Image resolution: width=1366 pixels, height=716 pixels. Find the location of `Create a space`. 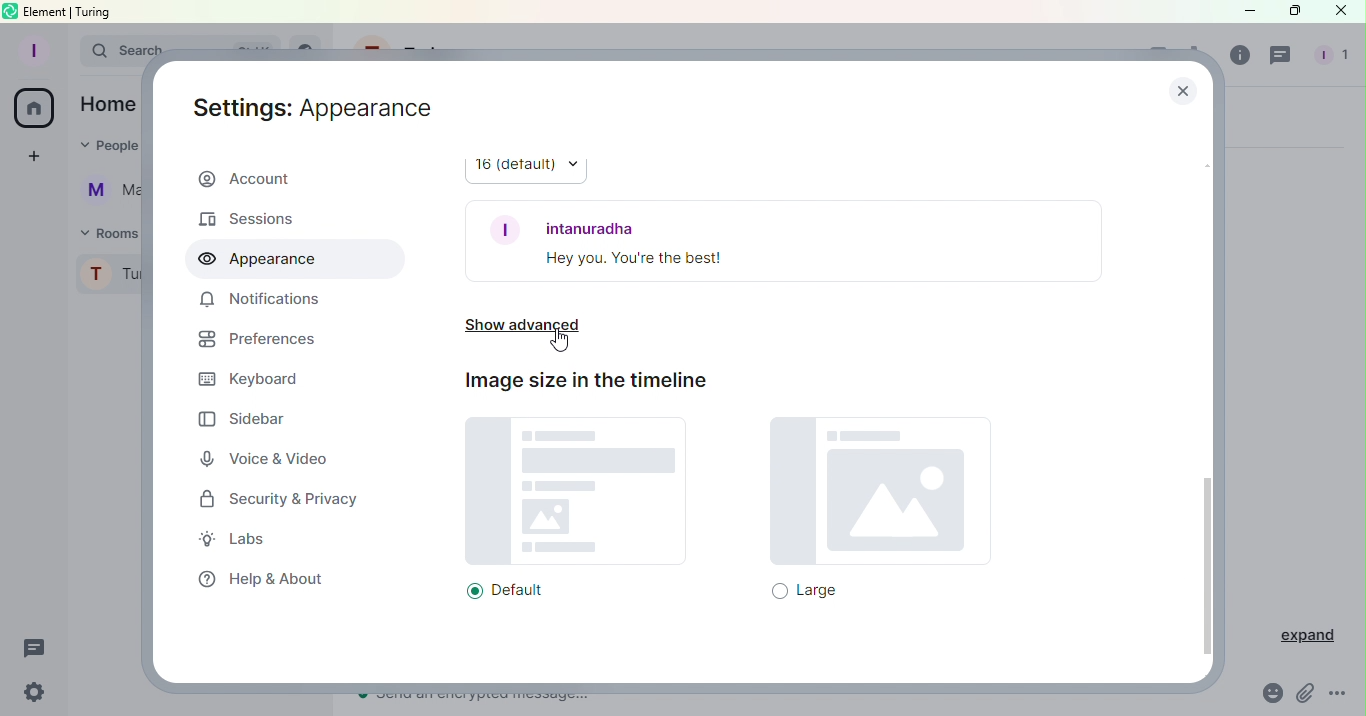

Create a space is located at coordinates (34, 156).